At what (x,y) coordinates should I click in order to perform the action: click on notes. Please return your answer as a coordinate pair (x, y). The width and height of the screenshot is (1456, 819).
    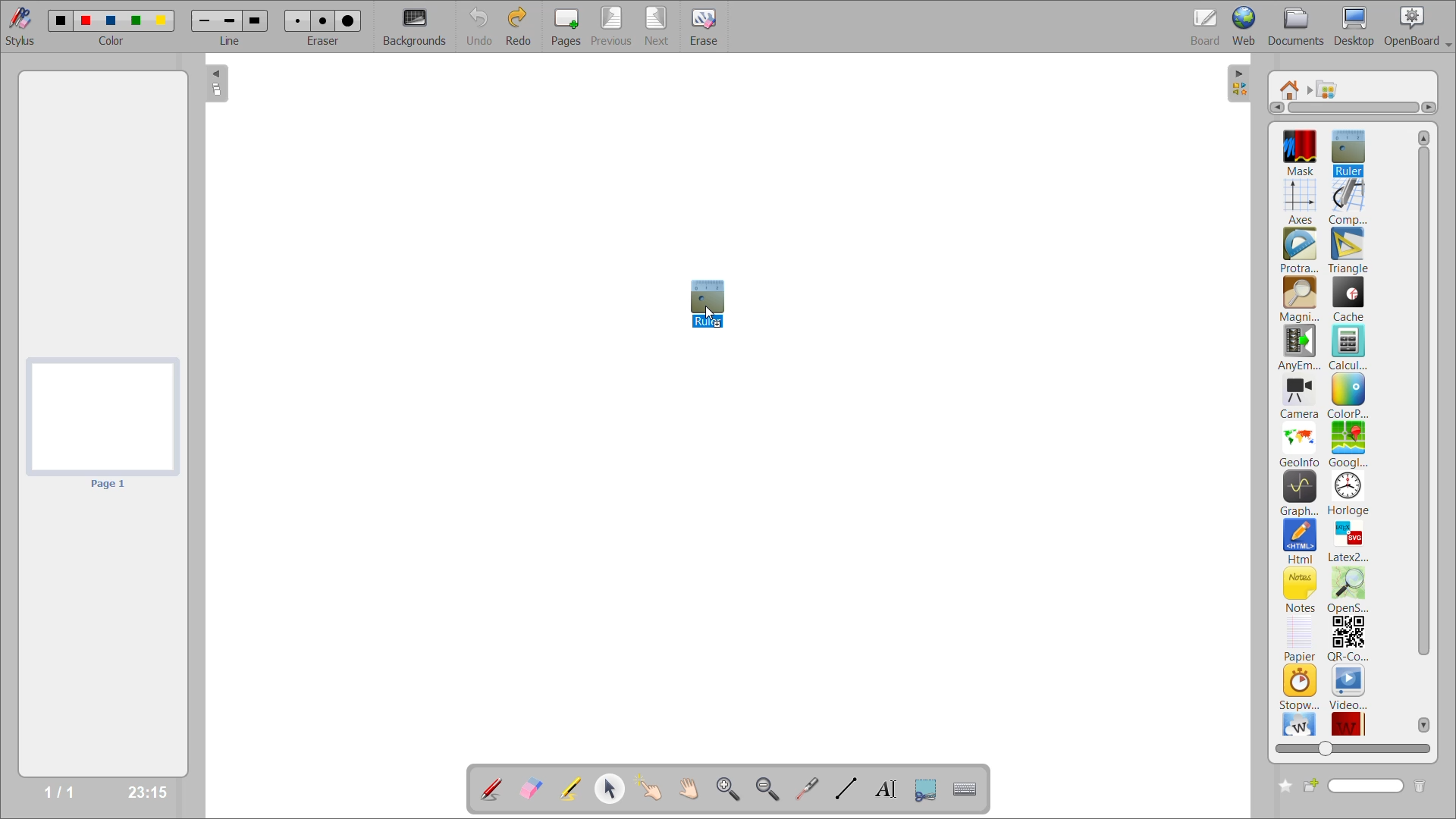
    Looking at the image, I should click on (1301, 589).